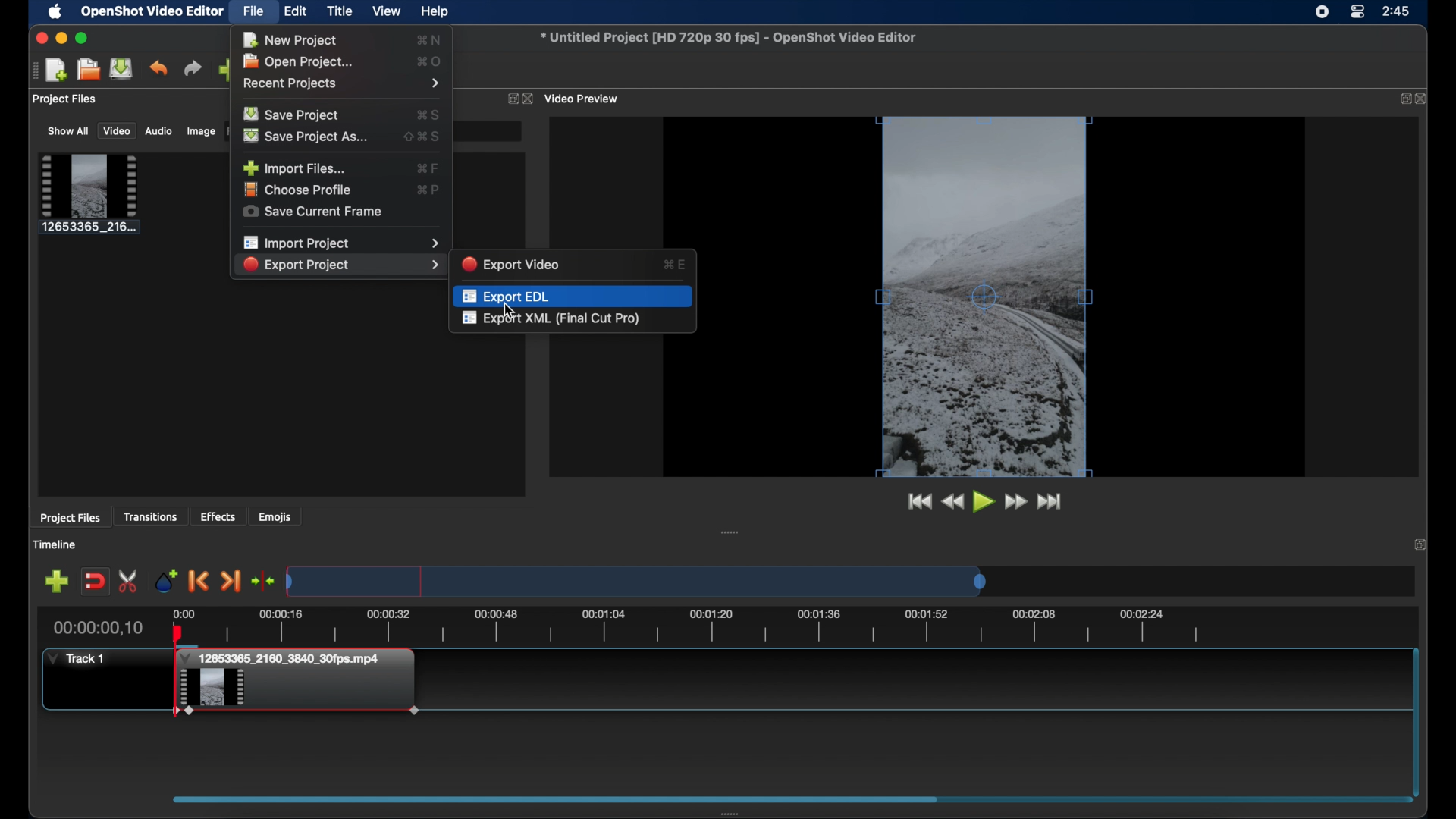 The height and width of the screenshot is (819, 1456). What do you see at coordinates (290, 40) in the screenshot?
I see `new project` at bounding box center [290, 40].